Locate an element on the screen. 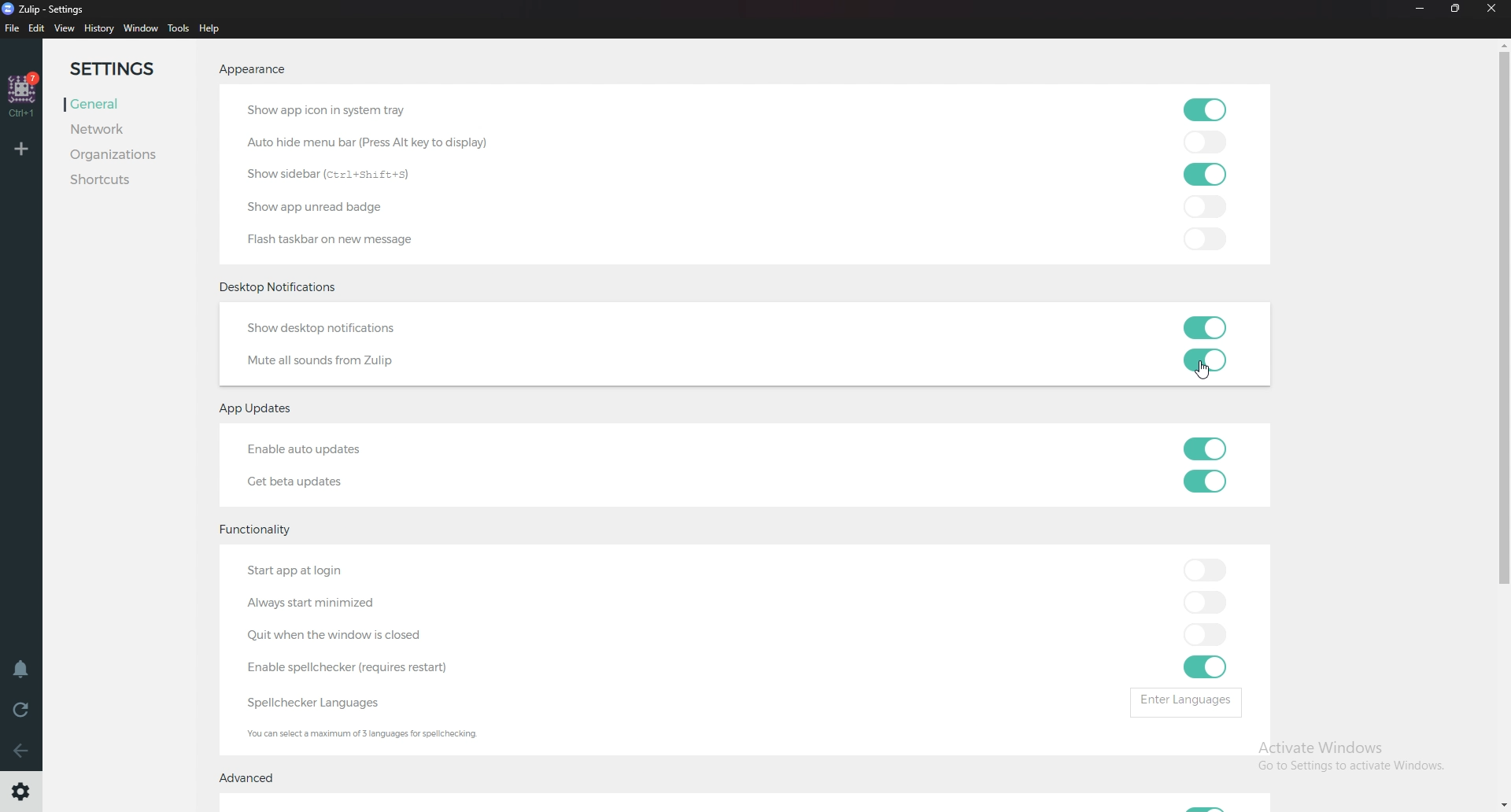  toggle is located at coordinates (1205, 142).